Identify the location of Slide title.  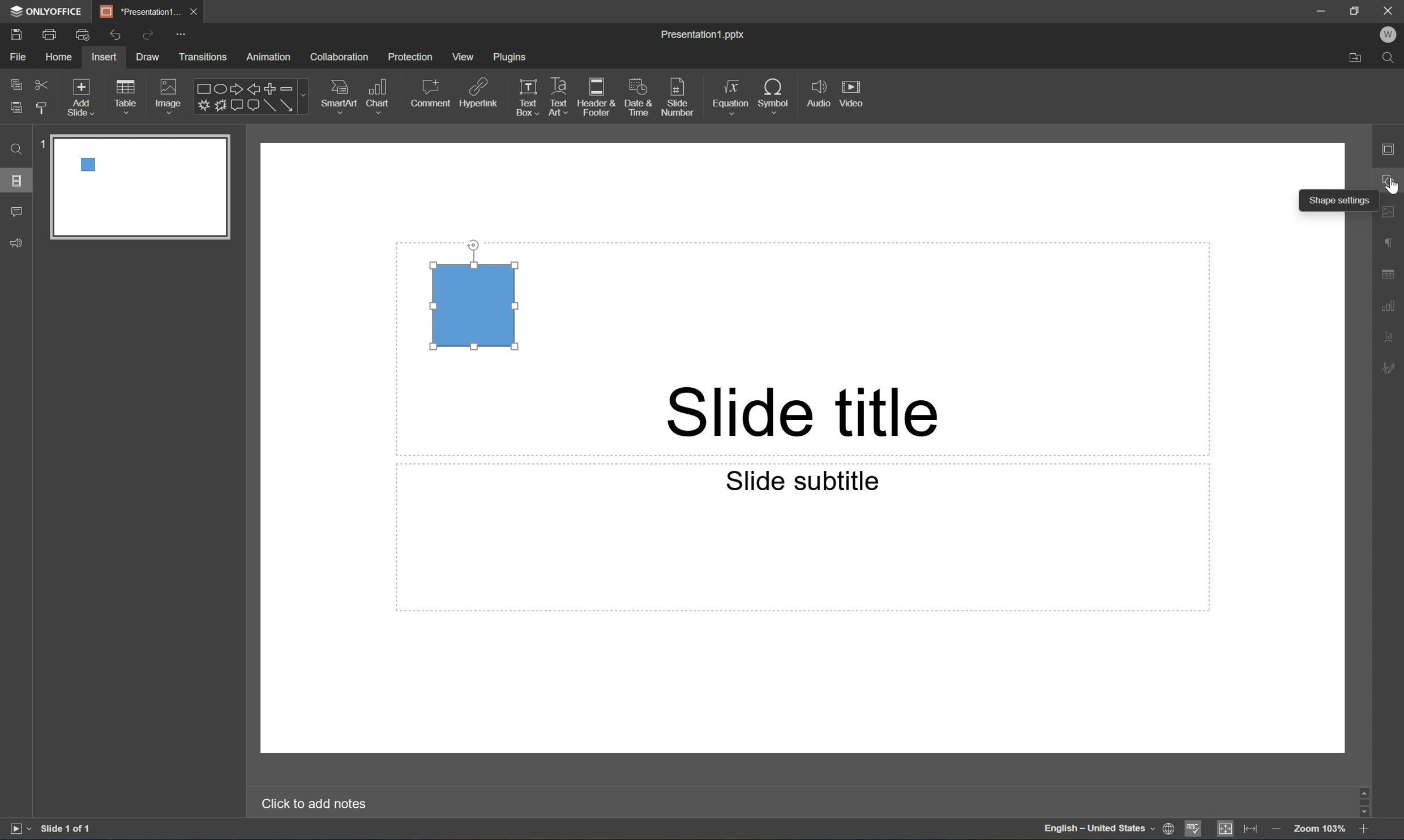
(803, 413).